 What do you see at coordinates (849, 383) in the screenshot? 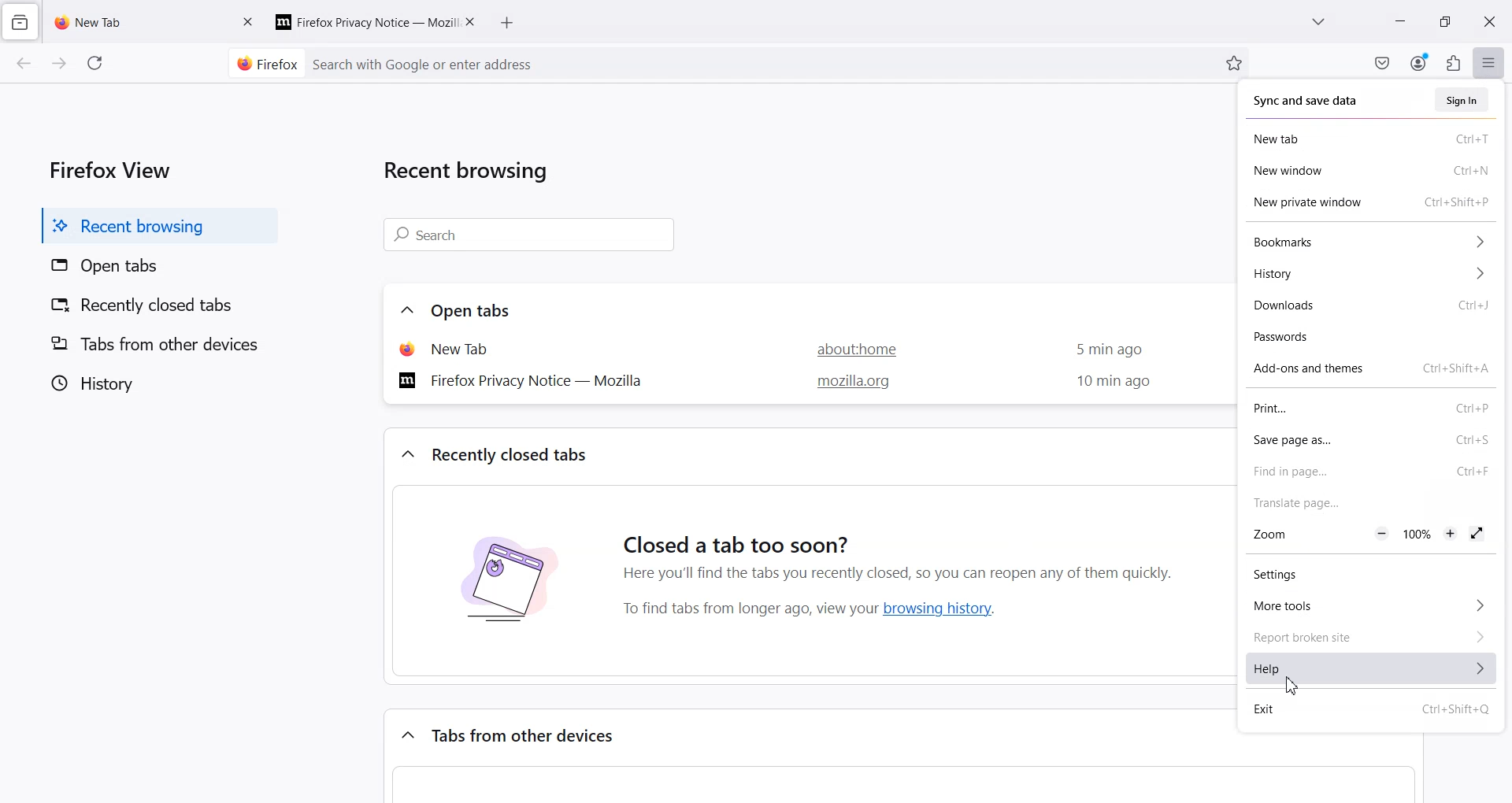
I see `mozilla.org` at bounding box center [849, 383].